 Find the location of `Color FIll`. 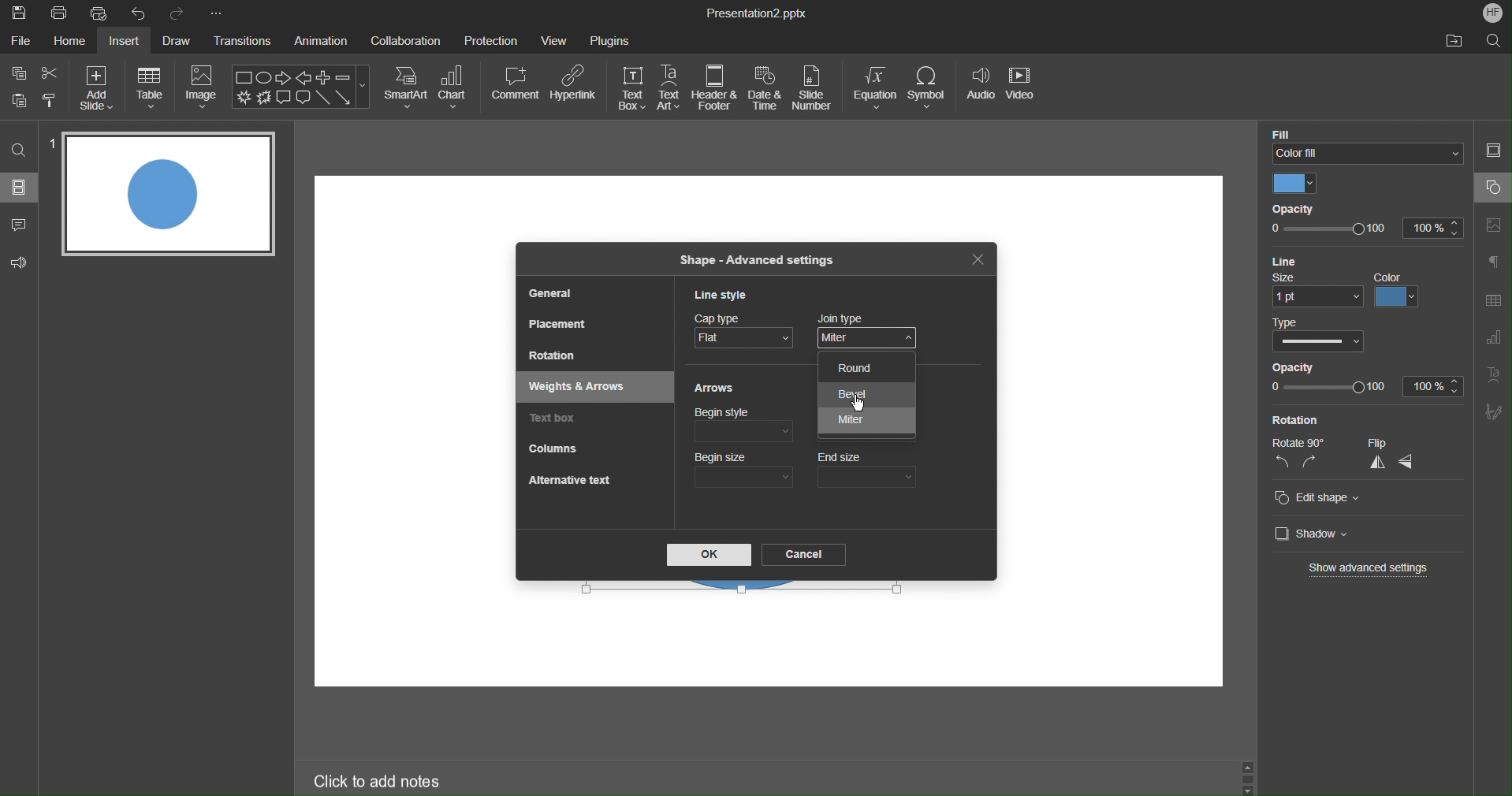

Color FIll is located at coordinates (1364, 143).